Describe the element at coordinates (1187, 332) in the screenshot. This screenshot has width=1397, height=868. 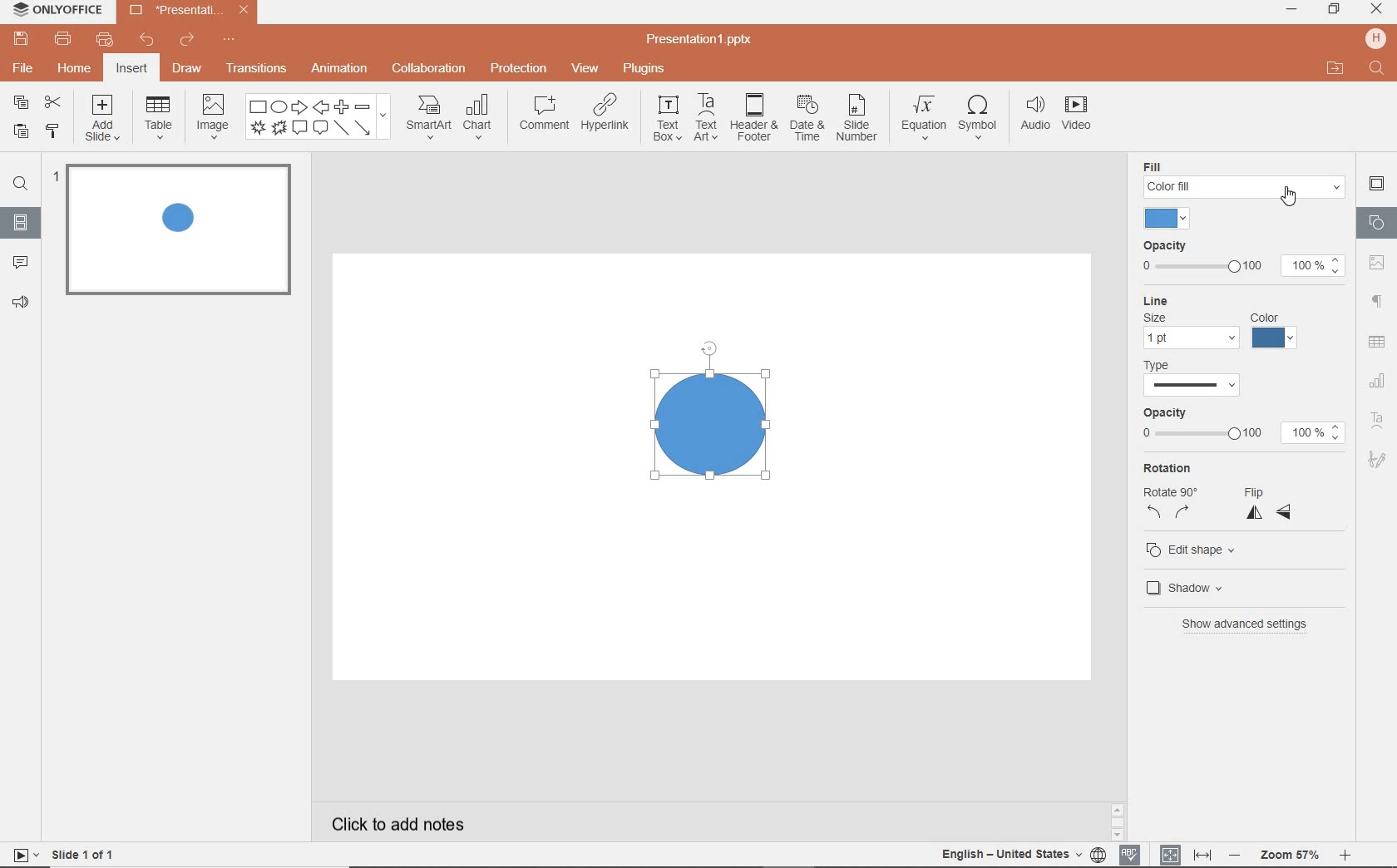
I see `size` at that location.